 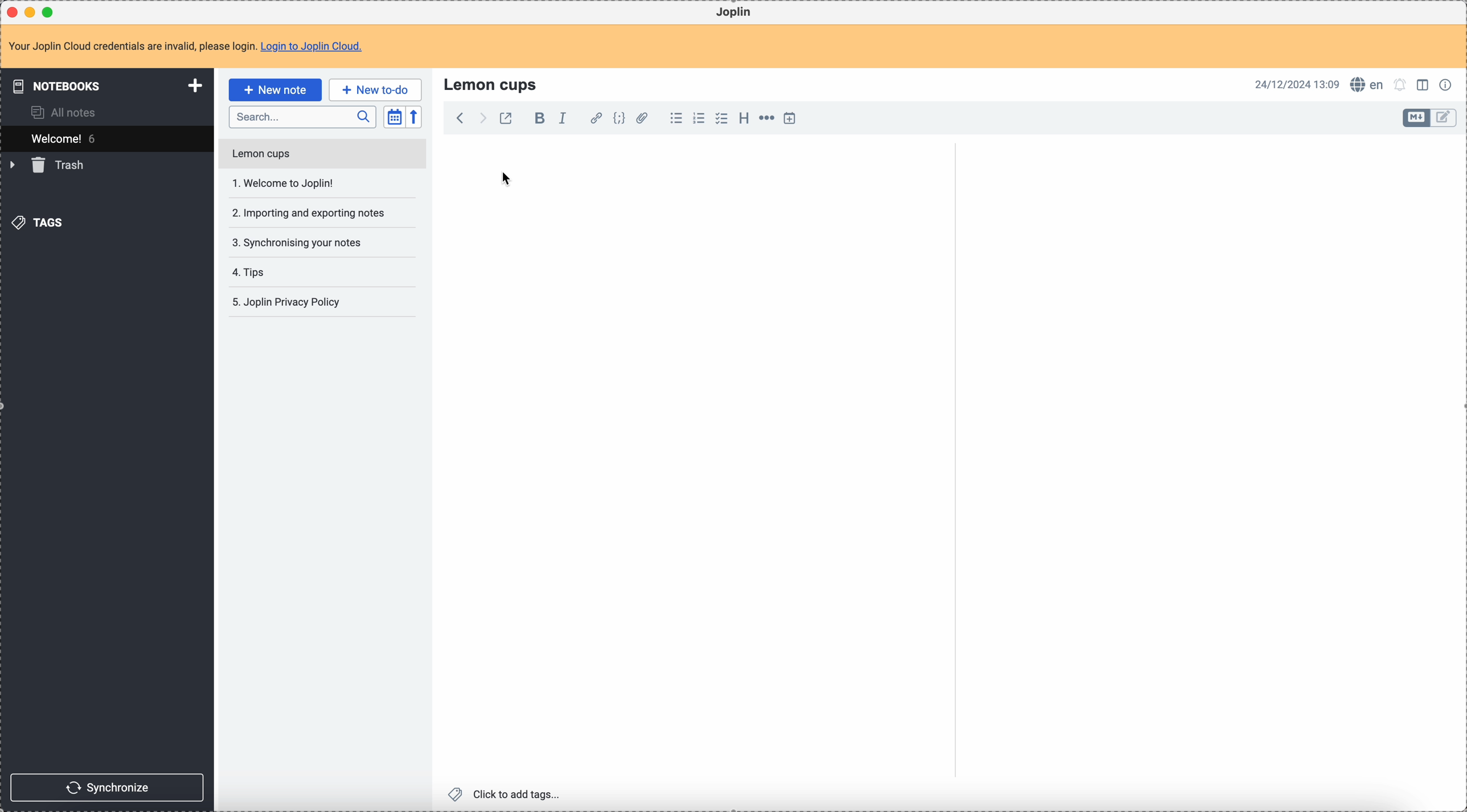 I want to click on toggle edit layout, so click(x=1424, y=84).